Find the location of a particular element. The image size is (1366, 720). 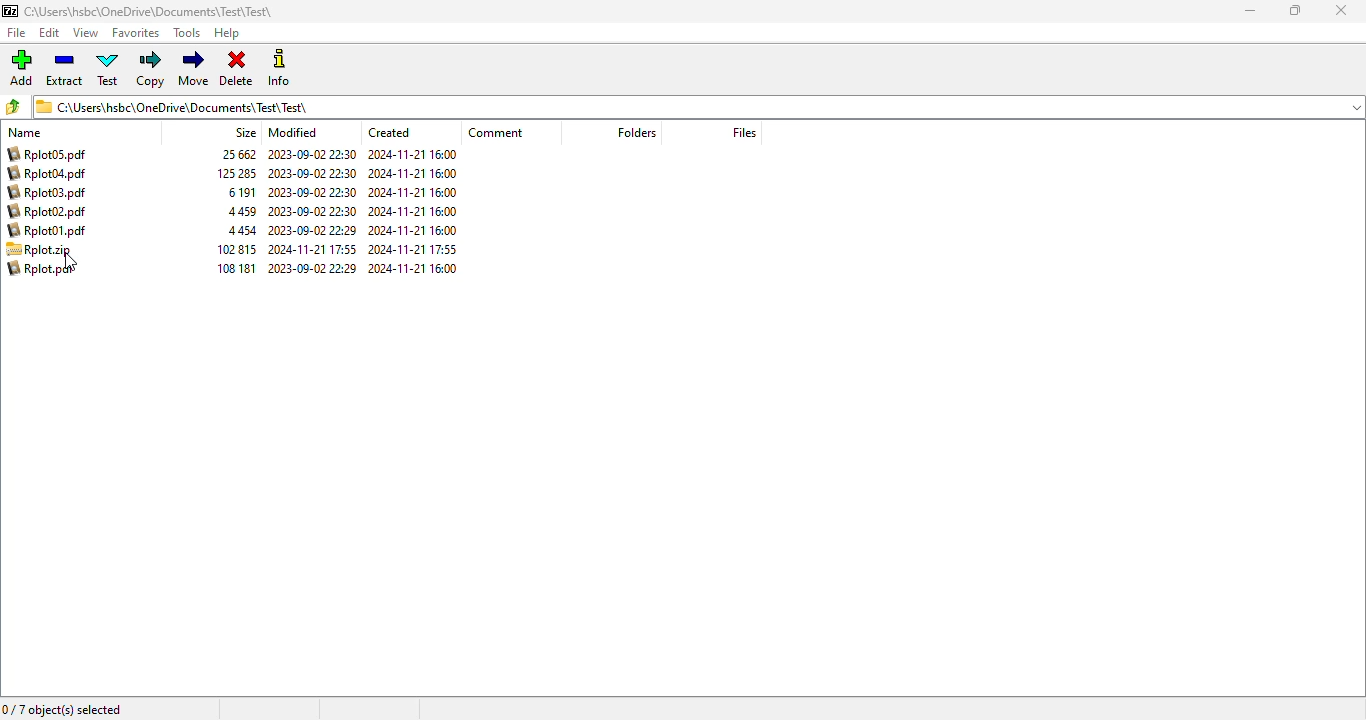

extract is located at coordinates (64, 68).